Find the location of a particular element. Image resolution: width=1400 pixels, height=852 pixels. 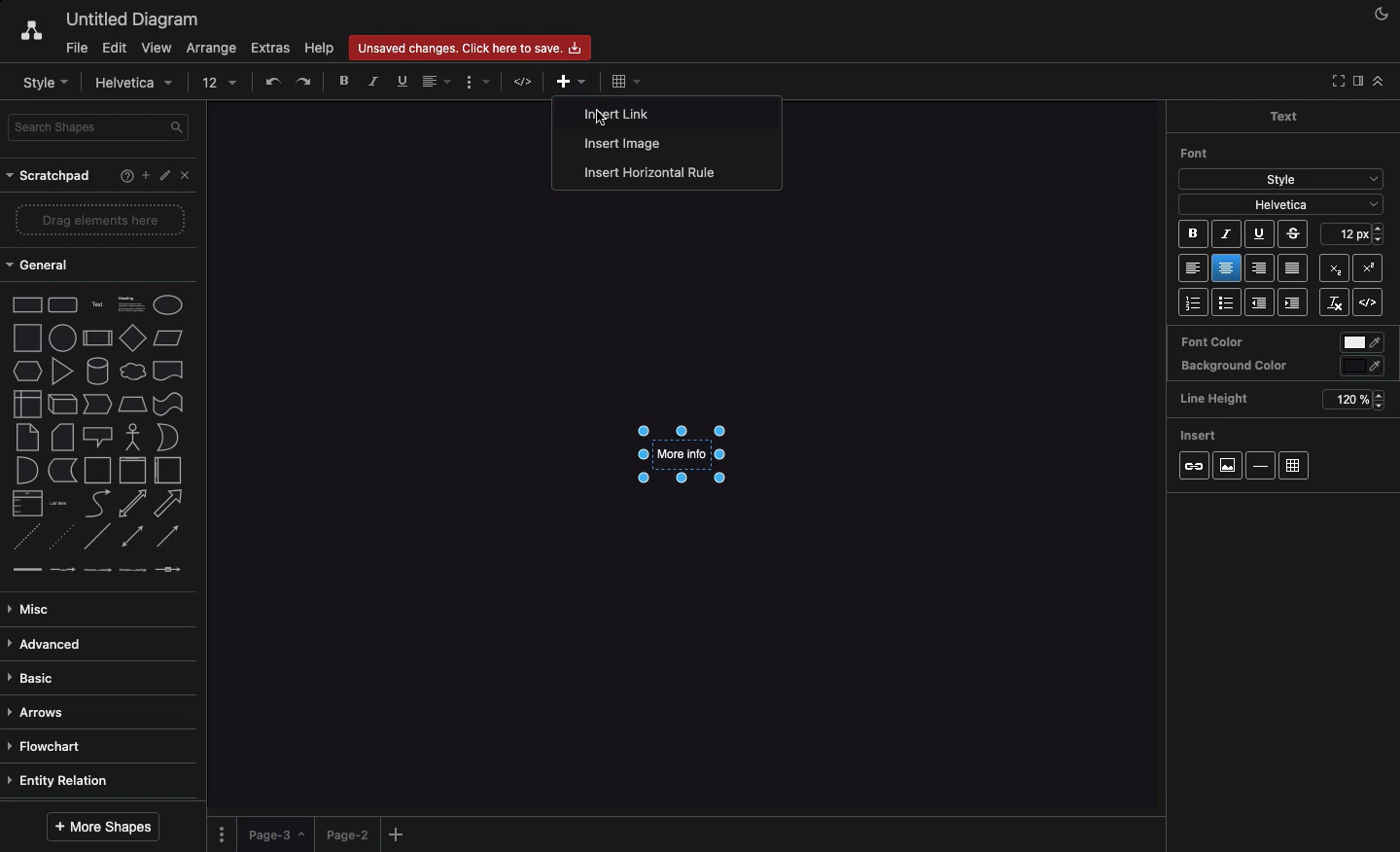

Left aligned is located at coordinates (1194, 269).